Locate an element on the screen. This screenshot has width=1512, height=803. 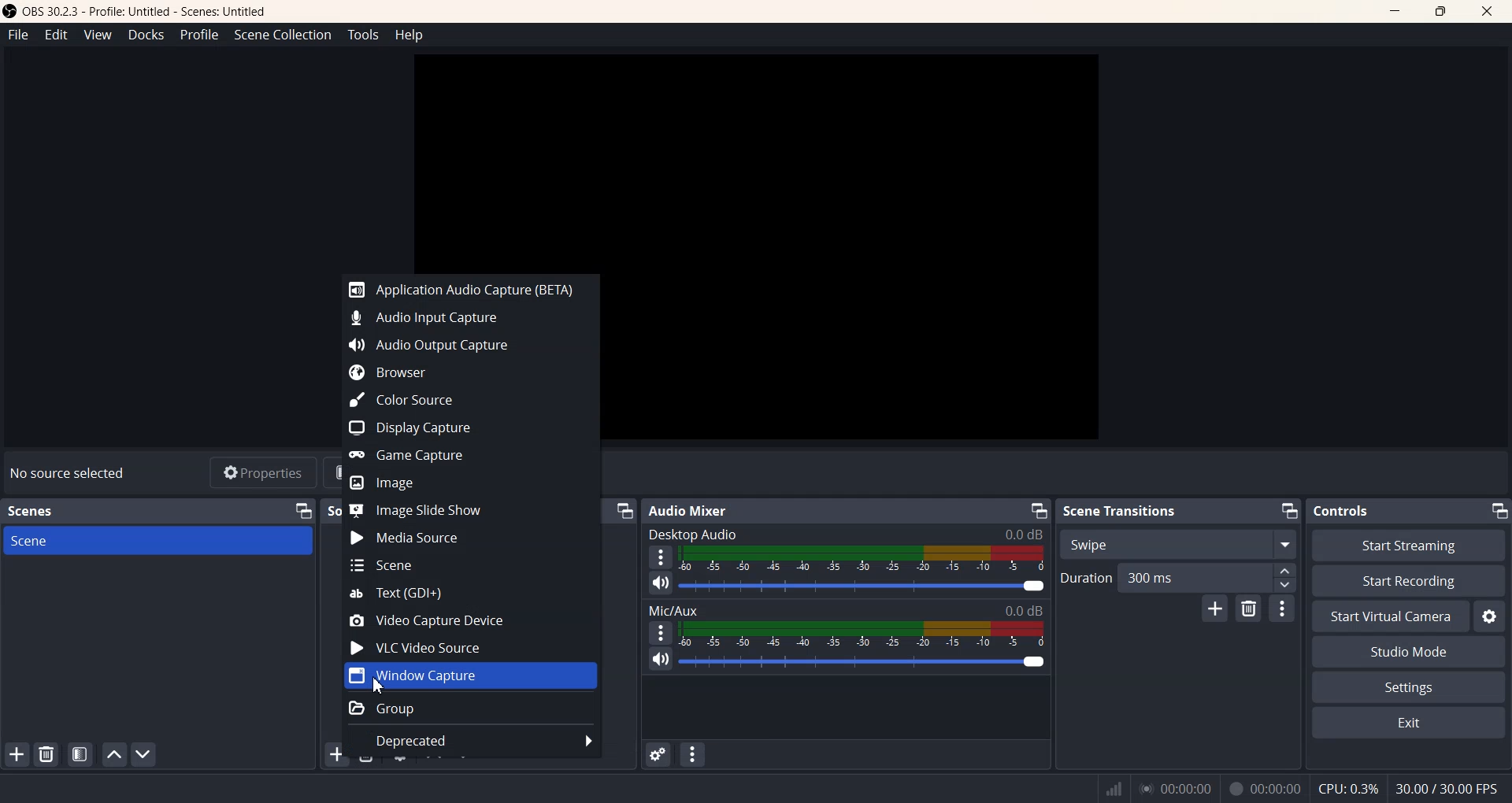
More is located at coordinates (1283, 607).